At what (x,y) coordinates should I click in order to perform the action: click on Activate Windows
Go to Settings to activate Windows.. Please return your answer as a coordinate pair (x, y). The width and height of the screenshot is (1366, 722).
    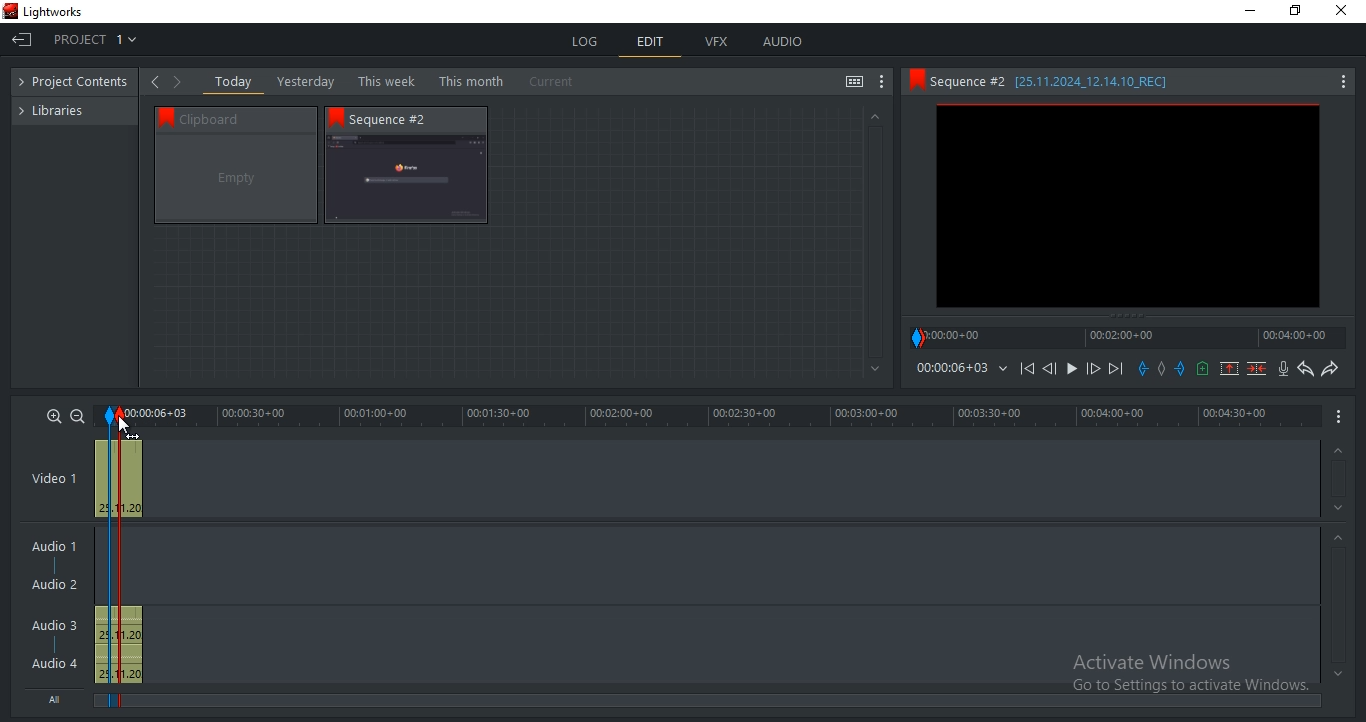
    Looking at the image, I should click on (1190, 675).